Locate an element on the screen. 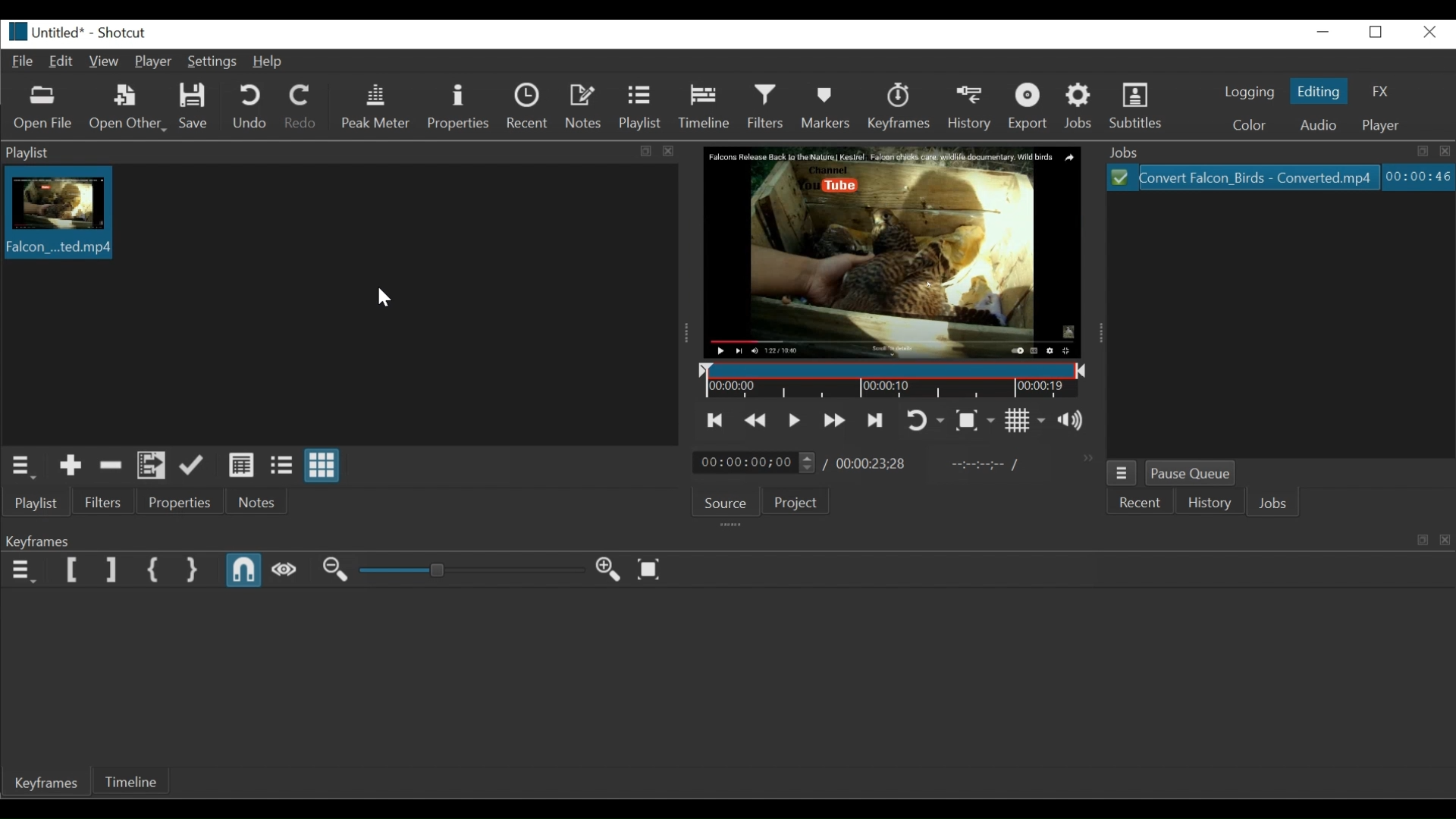 This screenshot has width=1456, height=819. File is located at coordinates (24, 62).